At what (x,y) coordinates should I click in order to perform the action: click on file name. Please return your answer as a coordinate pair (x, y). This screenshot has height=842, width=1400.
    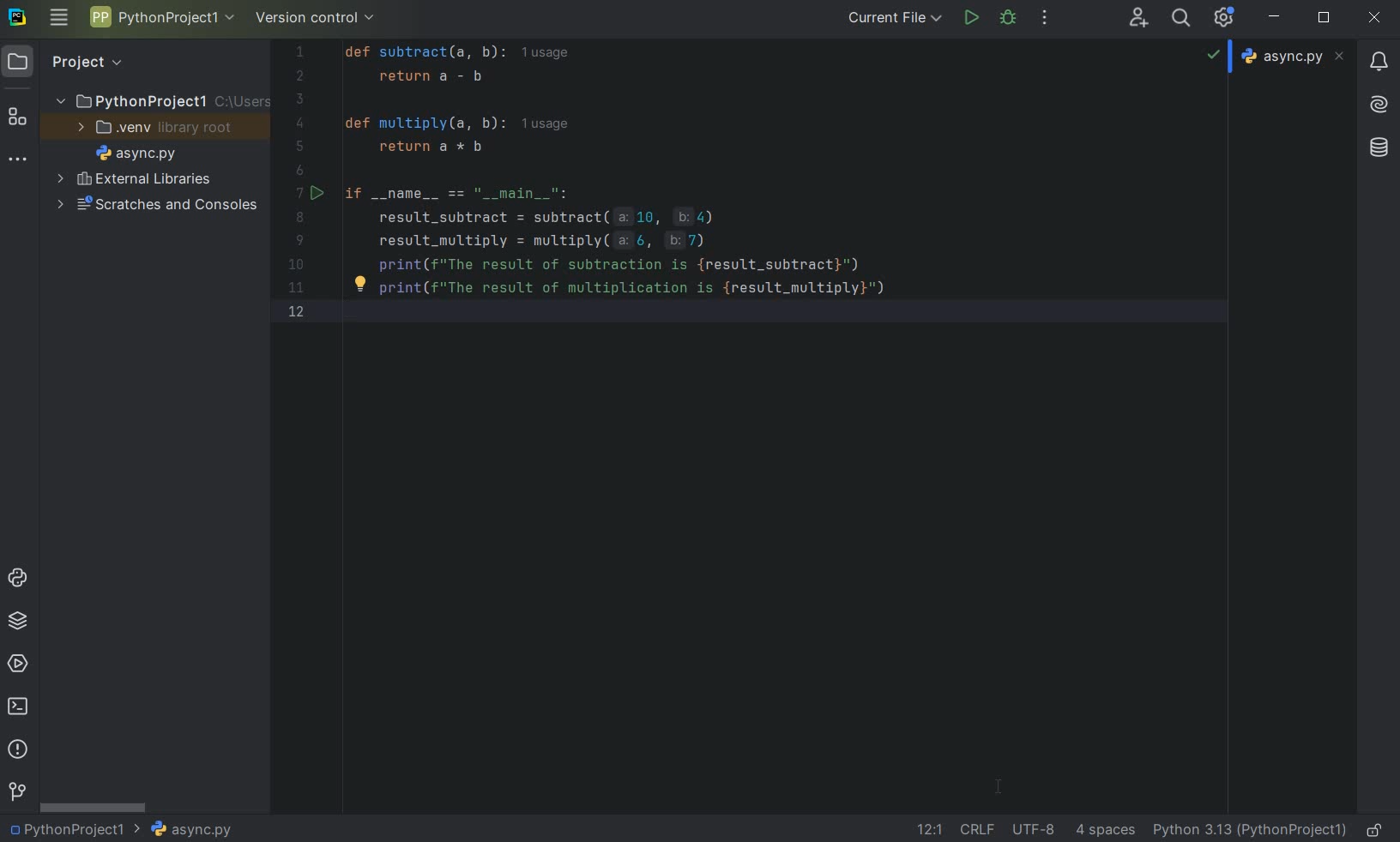
    Looking at the image, I should click on (1294, 57).